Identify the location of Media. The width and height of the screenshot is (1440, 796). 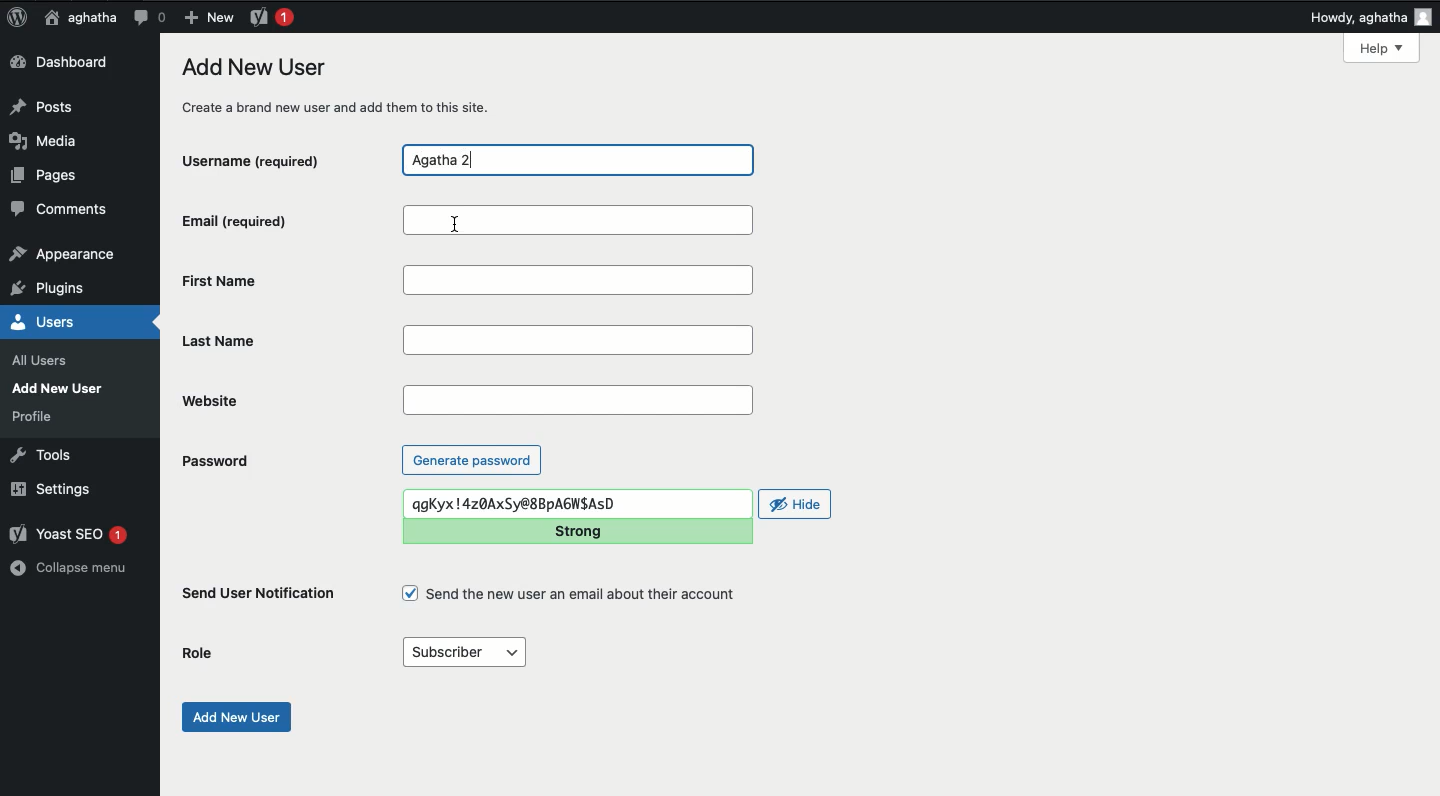
(50, 141).